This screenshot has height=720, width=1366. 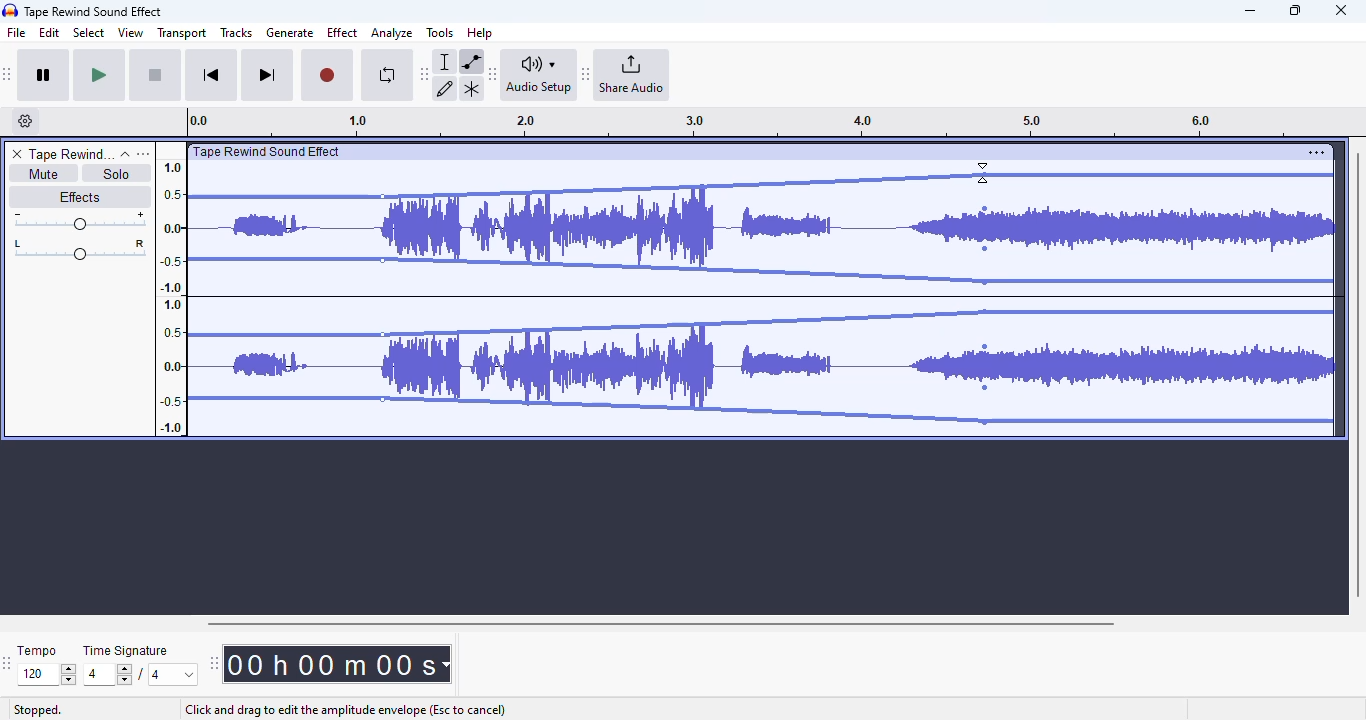 What do you see at coordinates (386, 75) in the screenshot?
I see `enable looping` at bounding box center [386, 75].